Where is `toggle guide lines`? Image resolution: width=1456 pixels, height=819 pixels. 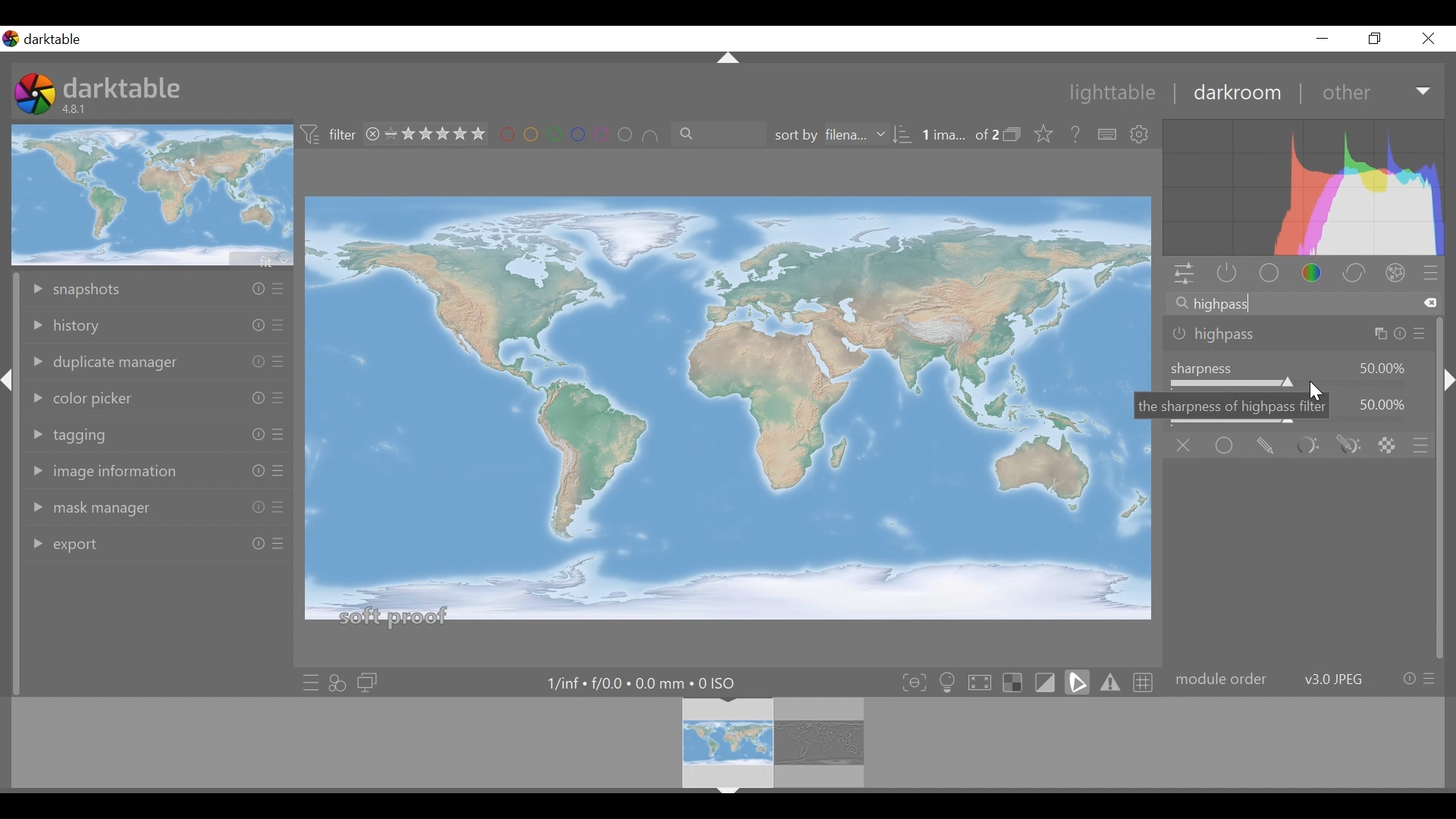
toggle guide lines is located at coordinates (1144, 681).